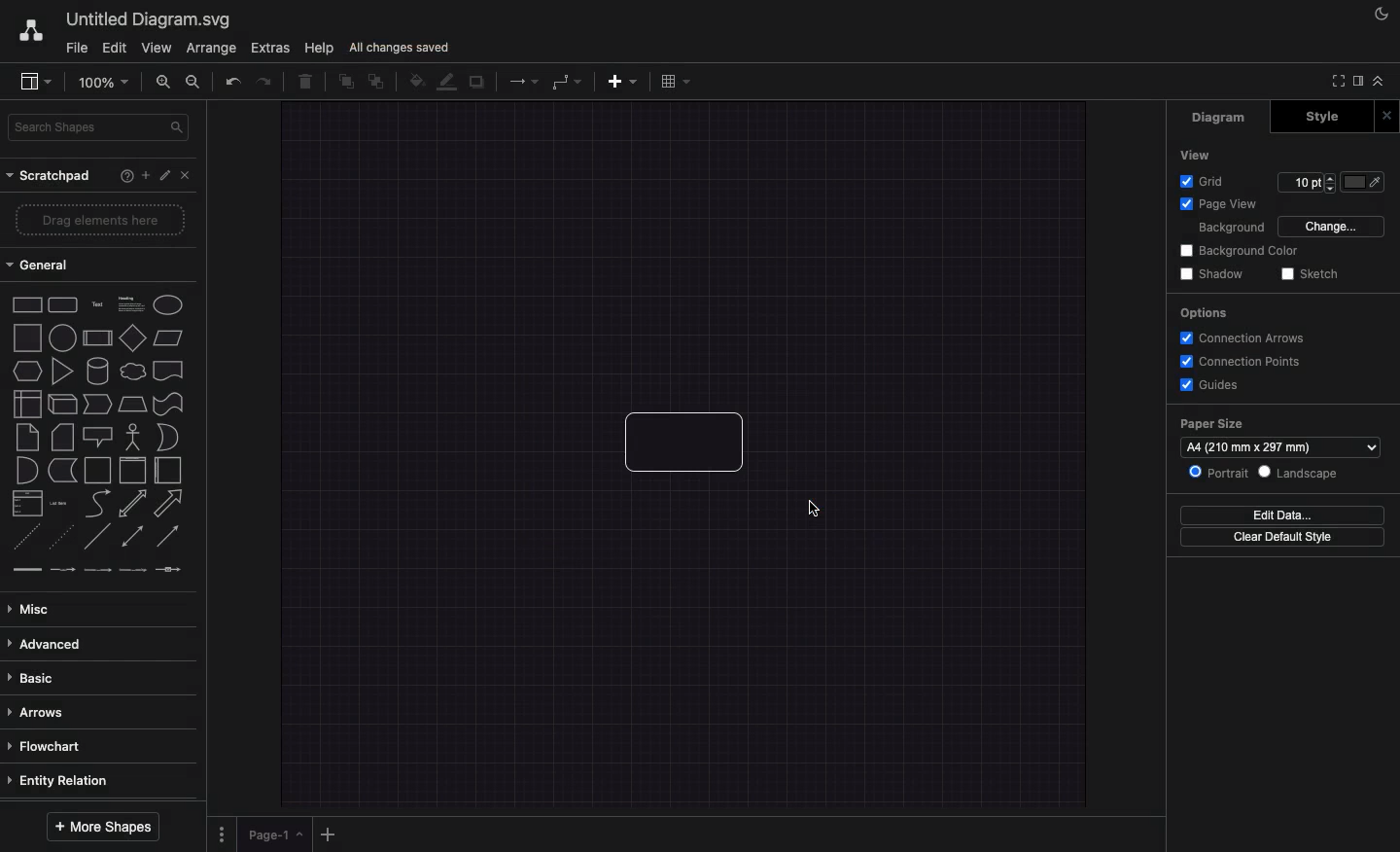 The image size is (1400, 852). Describe the element at coordinates (223, 834) in the screenshot. I see `Options` at that location.